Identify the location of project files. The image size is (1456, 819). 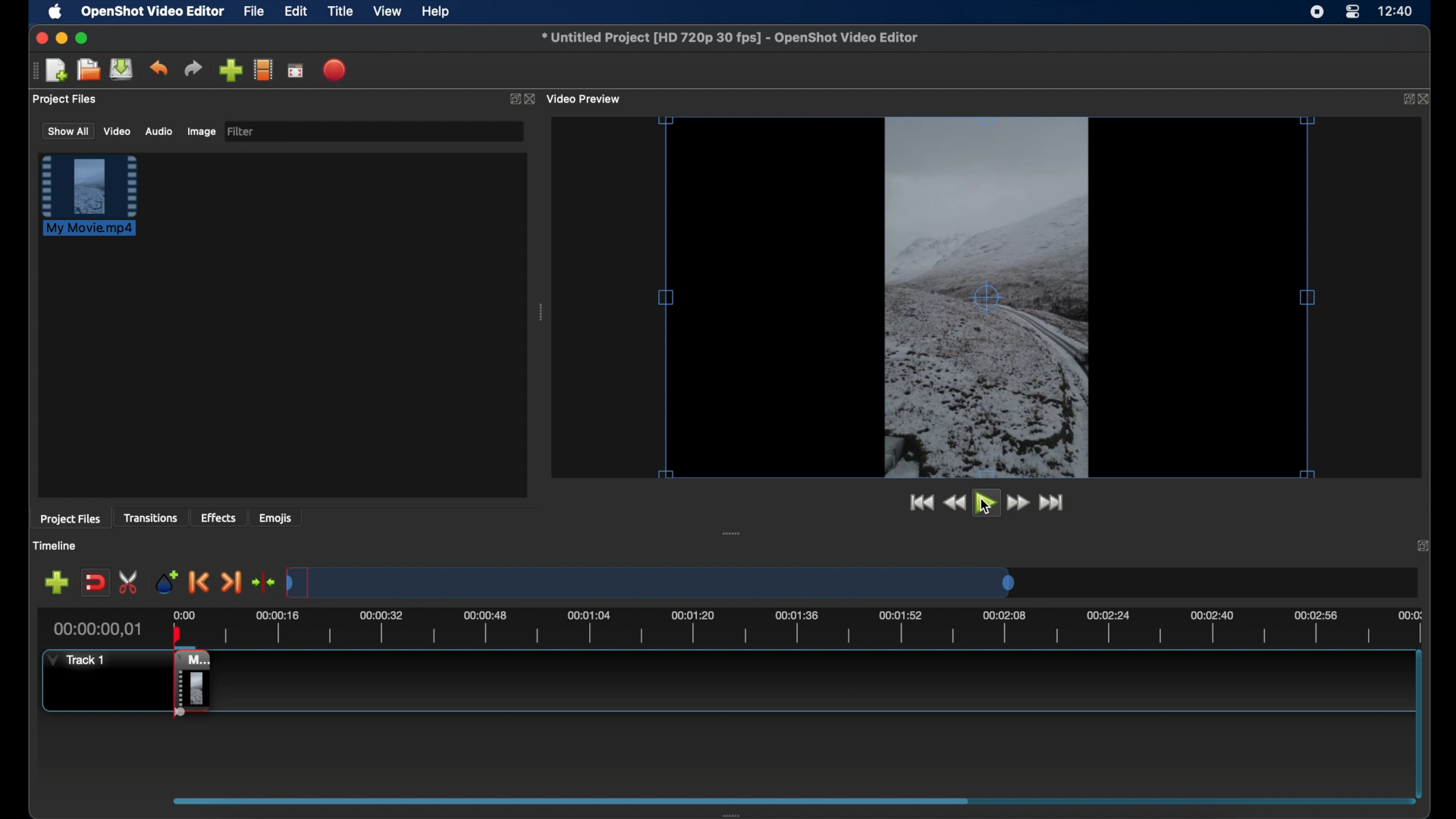
(65, 99).